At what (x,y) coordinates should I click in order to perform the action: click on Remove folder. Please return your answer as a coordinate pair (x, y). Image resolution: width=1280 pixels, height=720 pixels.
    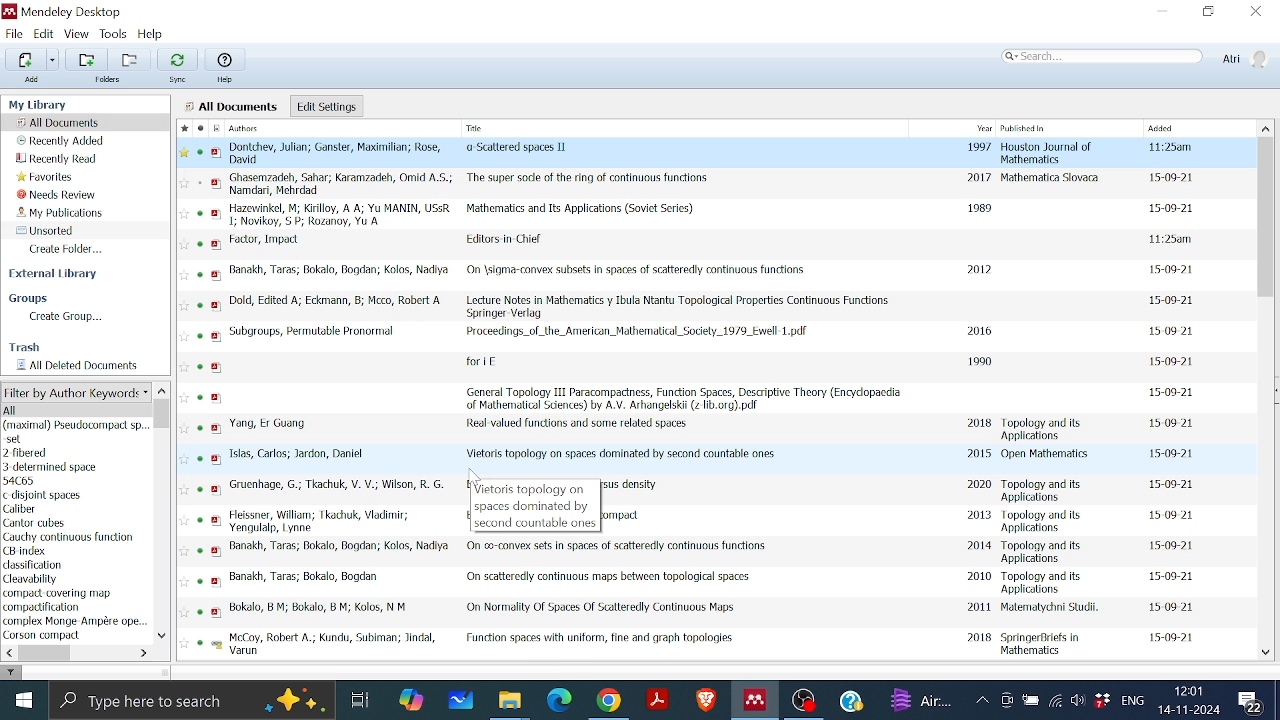
    Looking at the image, I should click on (130, 61).